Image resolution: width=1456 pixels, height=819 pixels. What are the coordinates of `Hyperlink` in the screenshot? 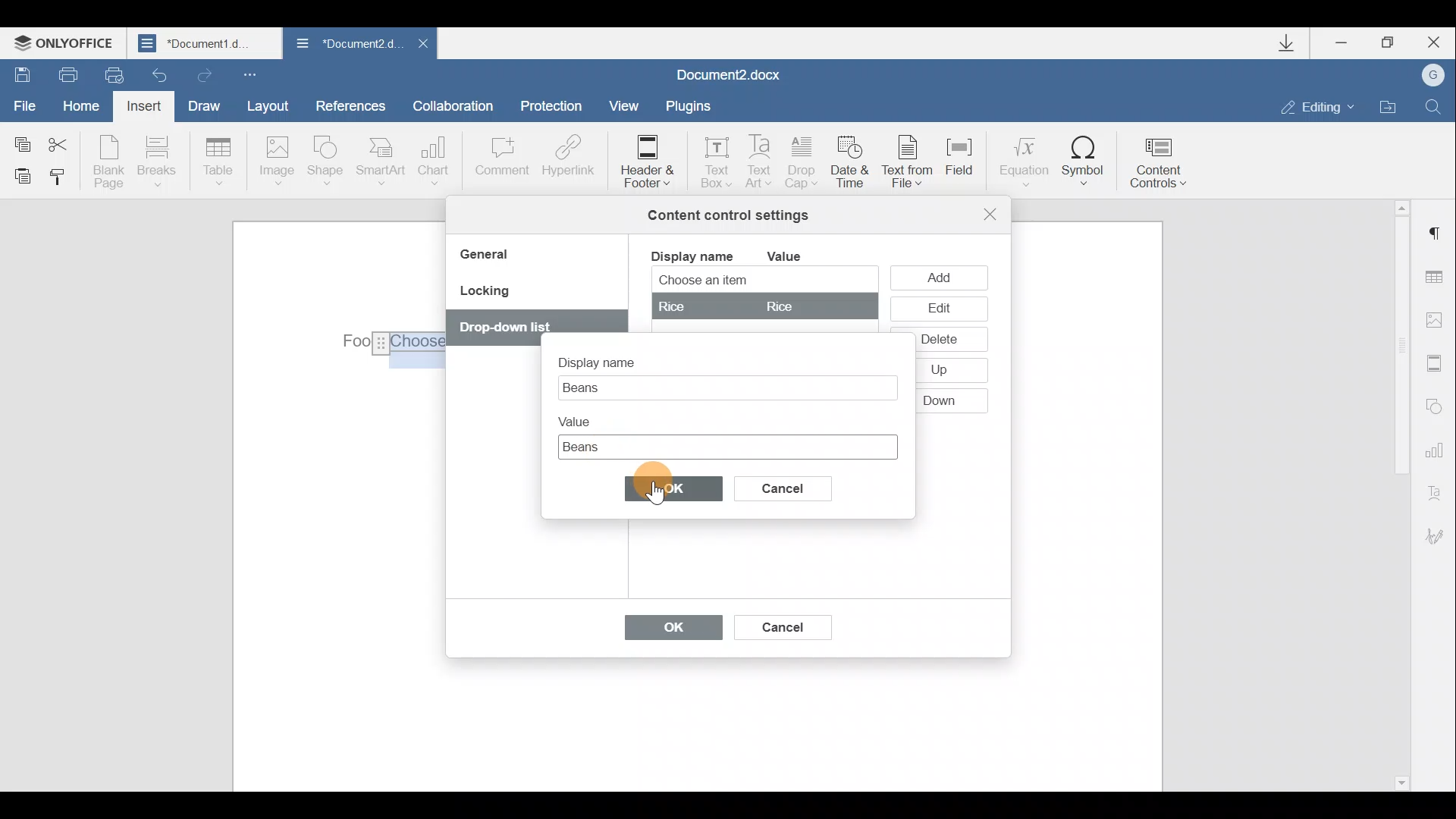 It's located at (565, 158).